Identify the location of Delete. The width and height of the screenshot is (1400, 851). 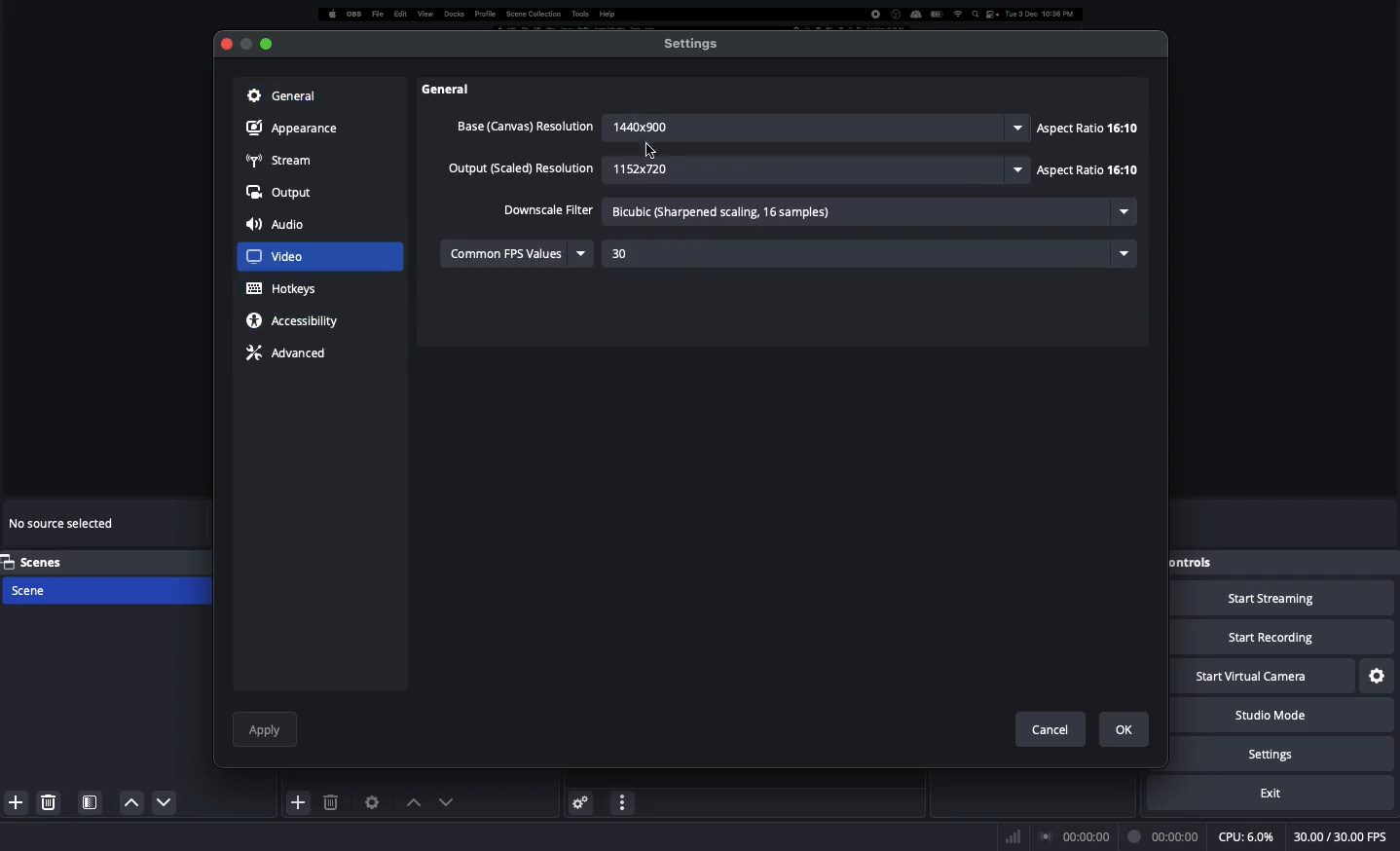
(51, 801).